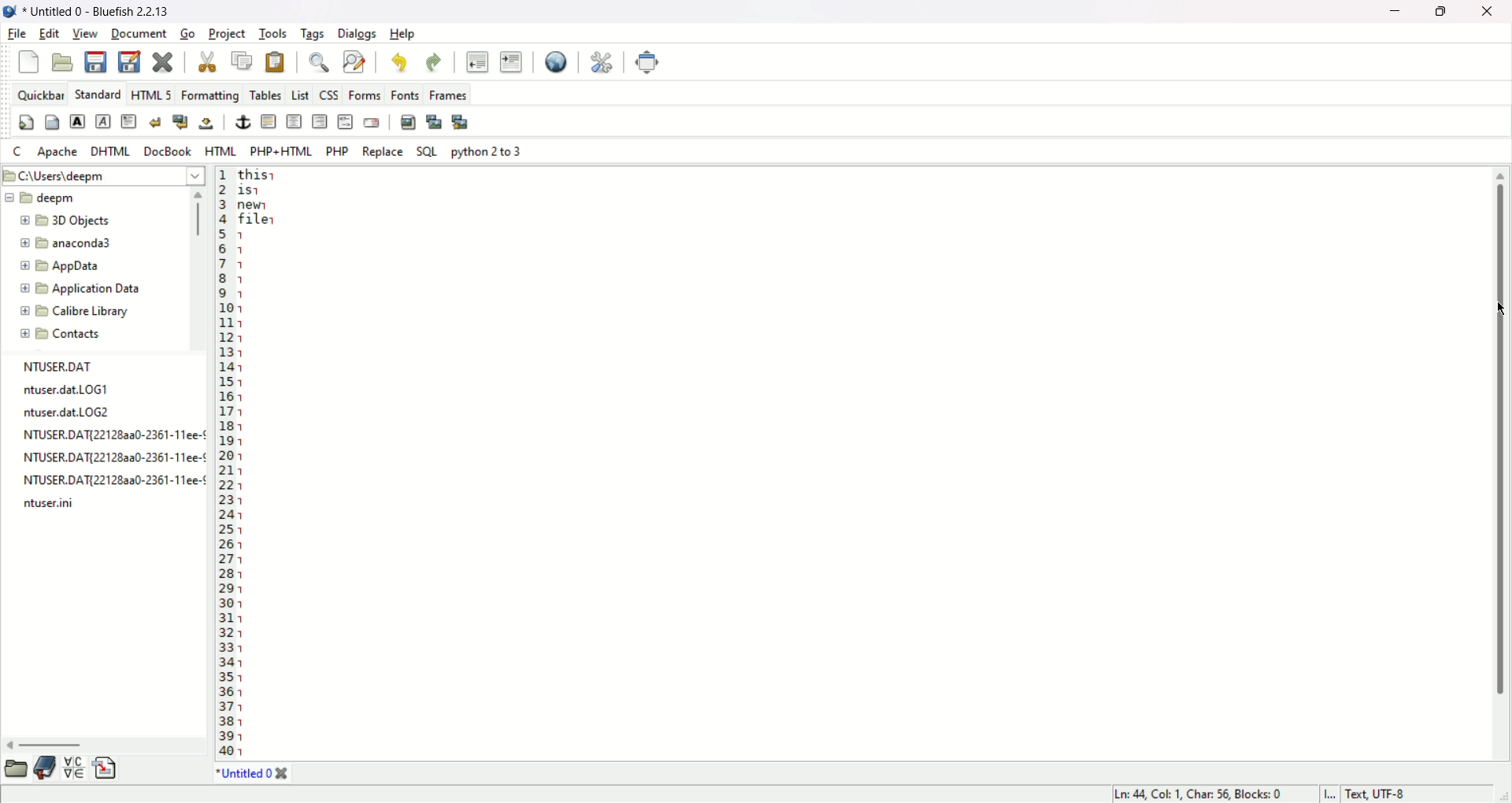 This screenshot has width=1512, height=803. What do you see at coordinates (109, 10) in the screenshot?
I see `document name` at bounding box center [109, 10].